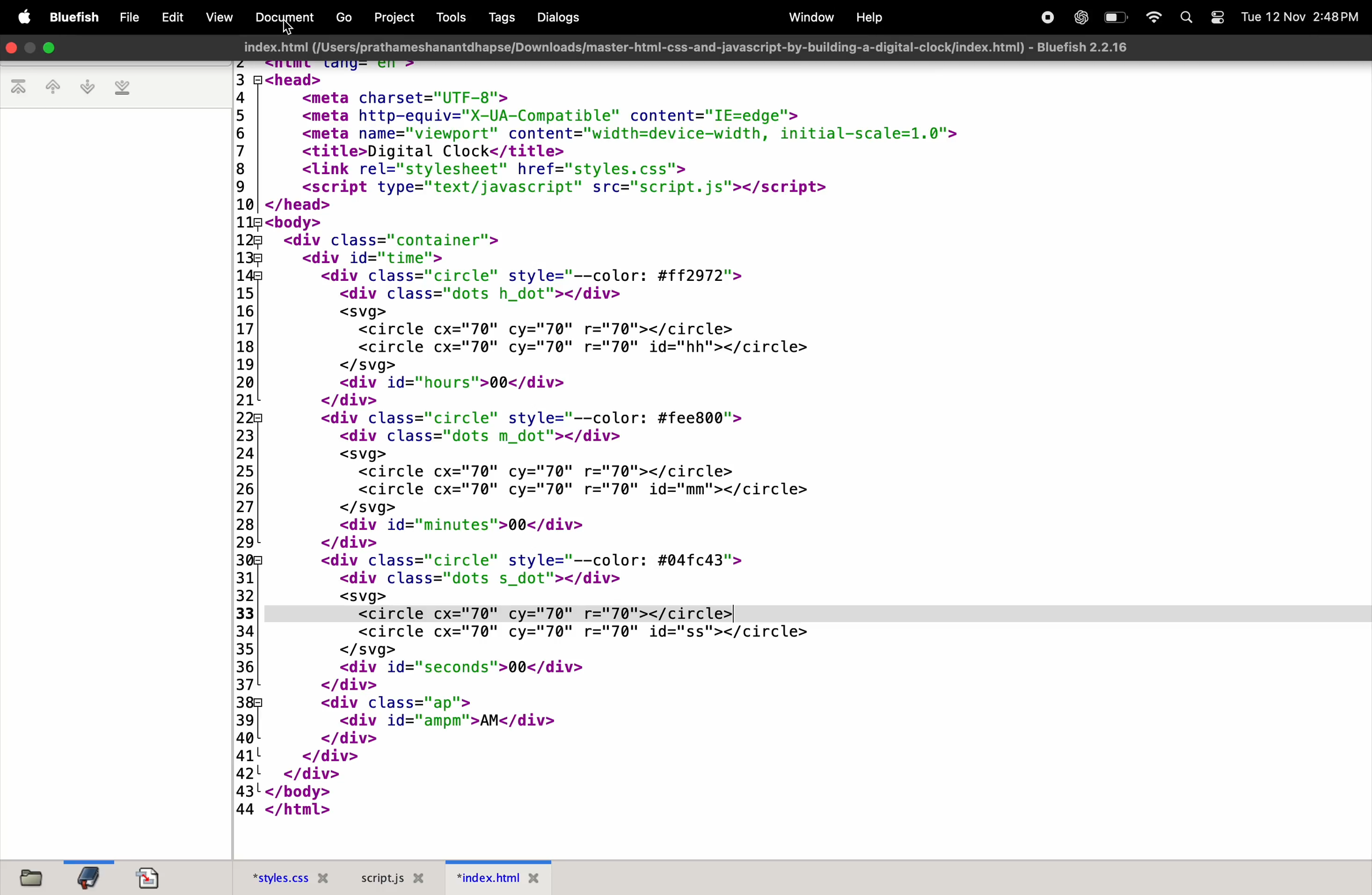 This screenshot has height=895, width=1372. I want to click on document, so click(281, 18).